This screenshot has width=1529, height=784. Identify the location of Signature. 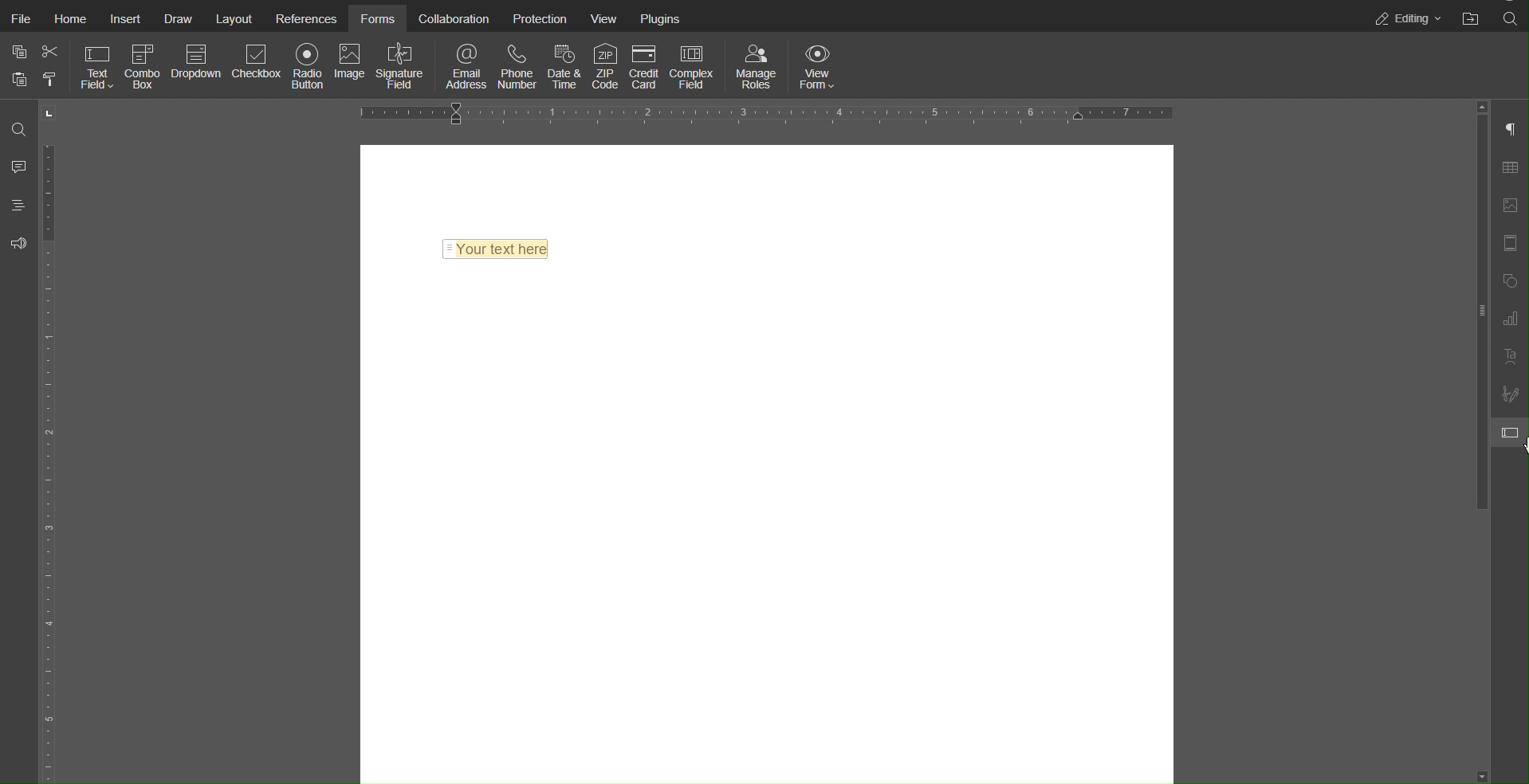
(1508, 394).